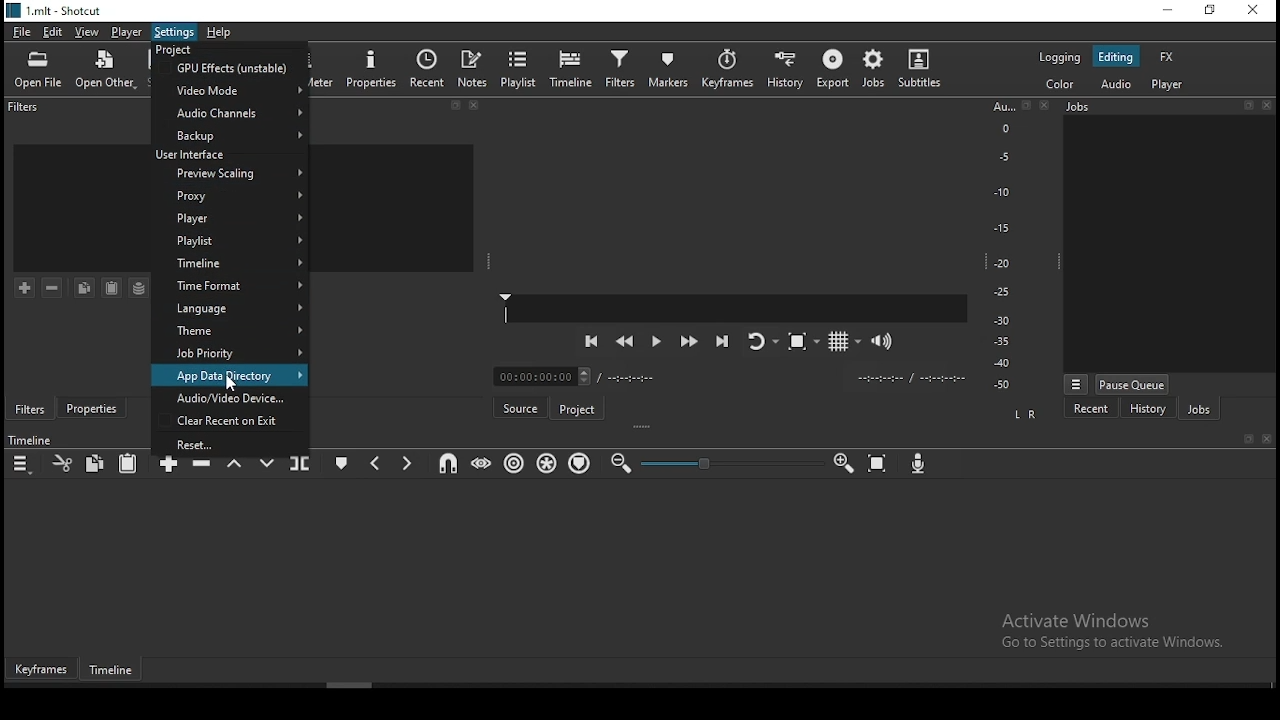 The height and width of the screenshot is (720, 1280). I want to click on snap, so click(450, 464).